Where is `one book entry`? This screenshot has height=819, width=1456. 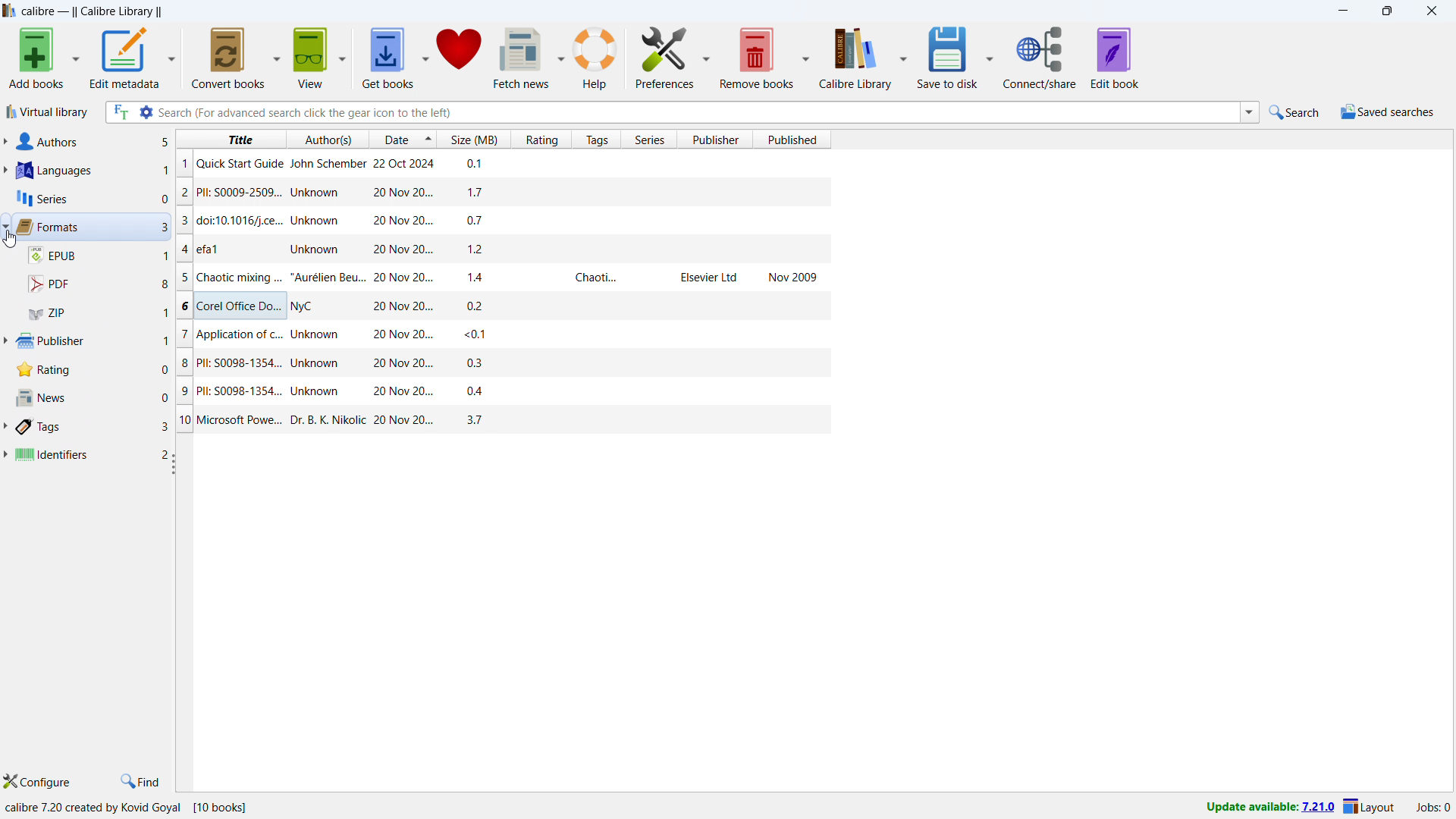 one book entry is located at coordinates (499, 192).